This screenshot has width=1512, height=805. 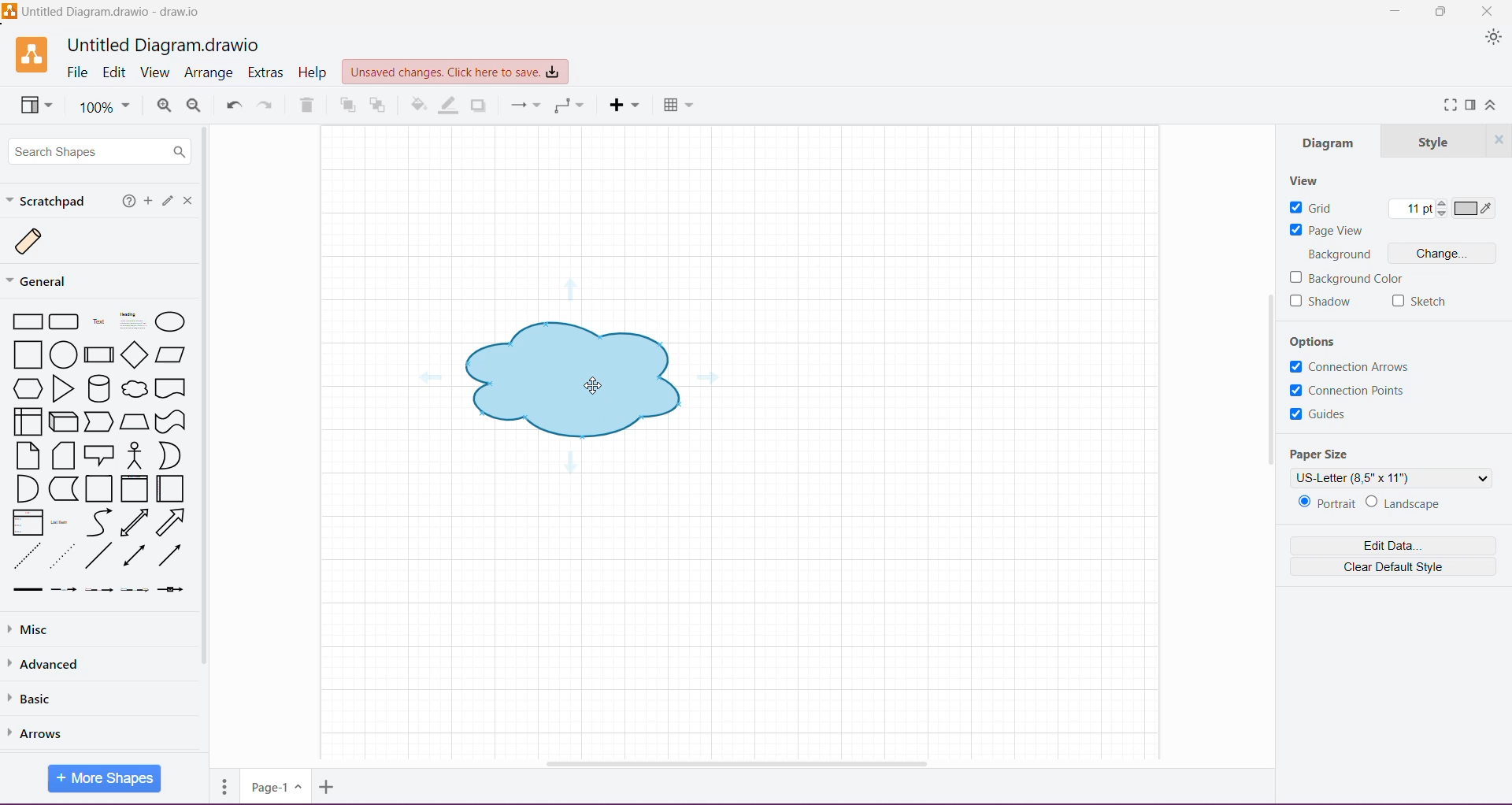 I want to click on View, so click(x=1305, y=180).